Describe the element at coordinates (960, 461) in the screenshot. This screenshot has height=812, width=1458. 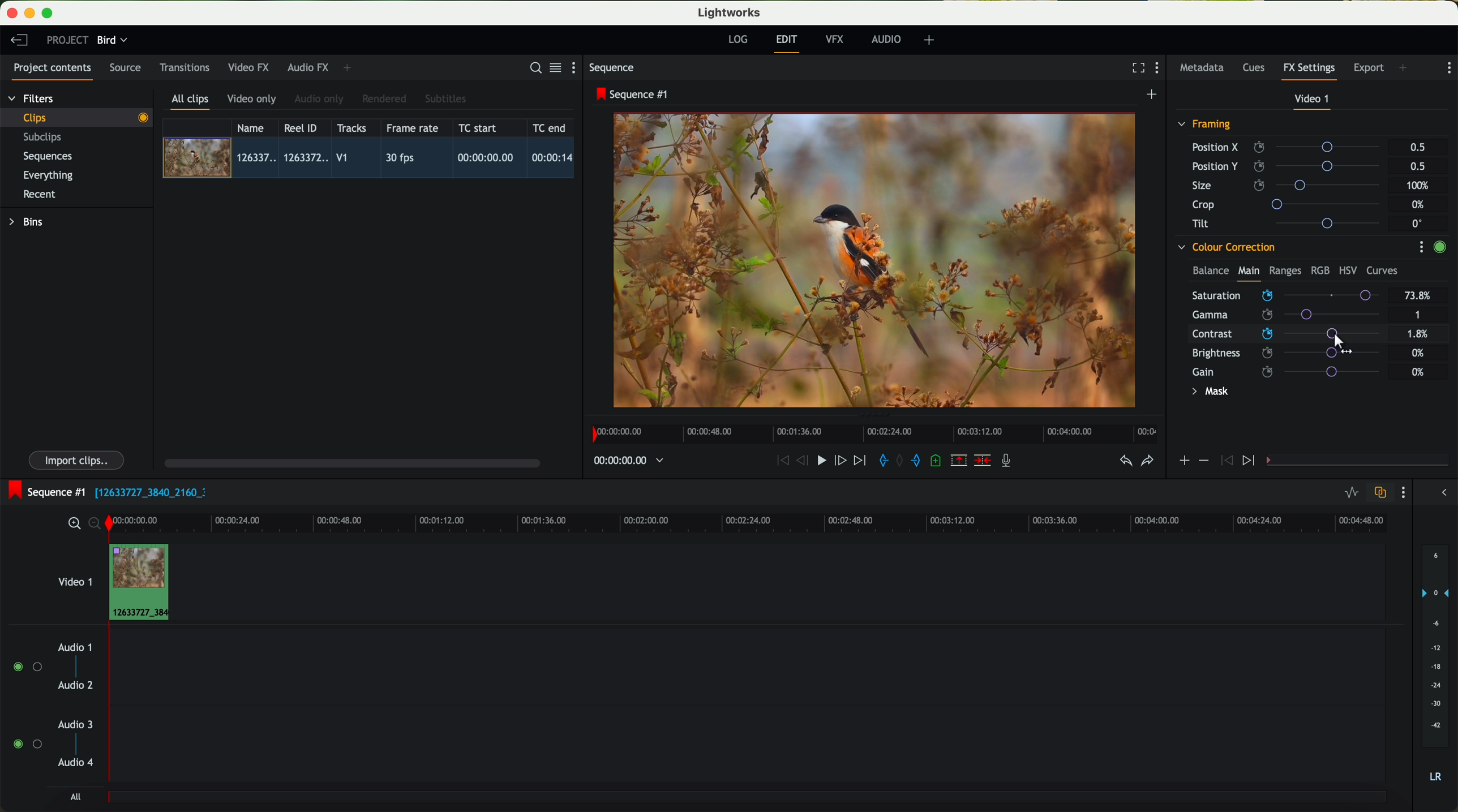
I see `remove the marked section` at that location.